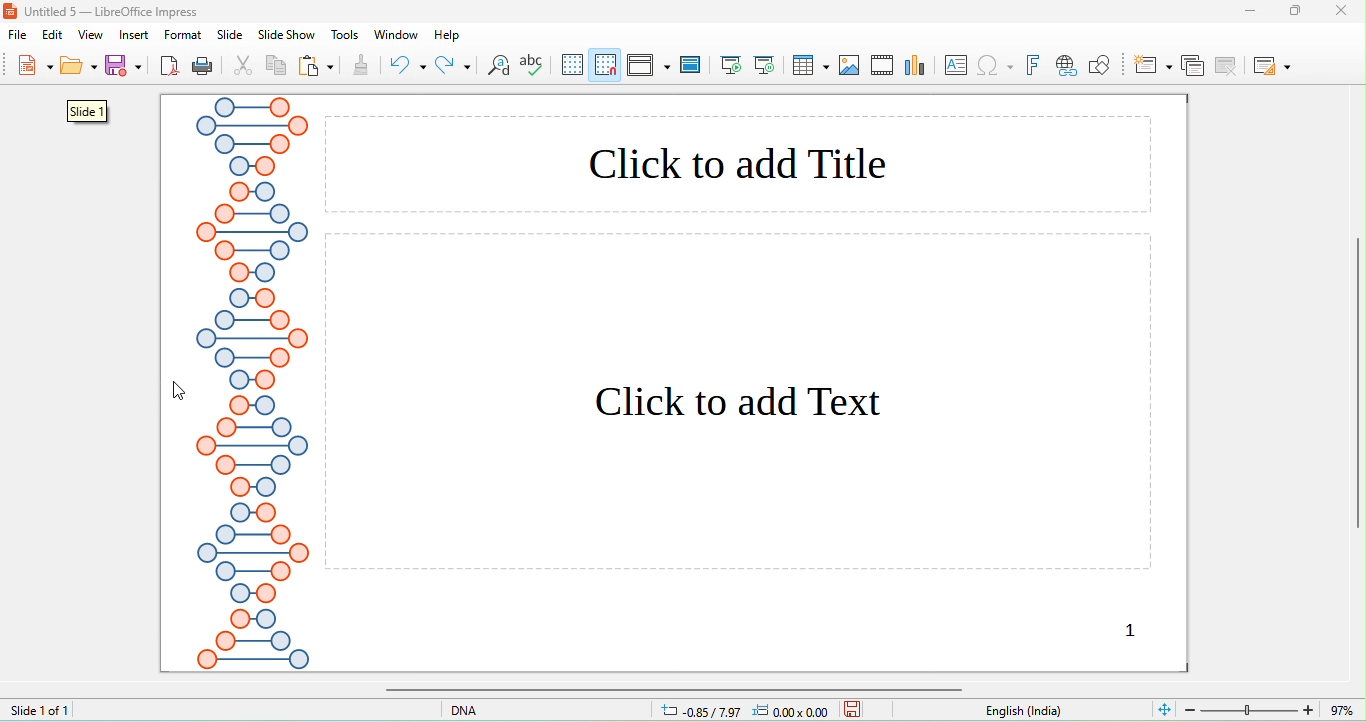  Describe the element at coordinates (573, 64) in the screenshot. I see `display grid` at that location.